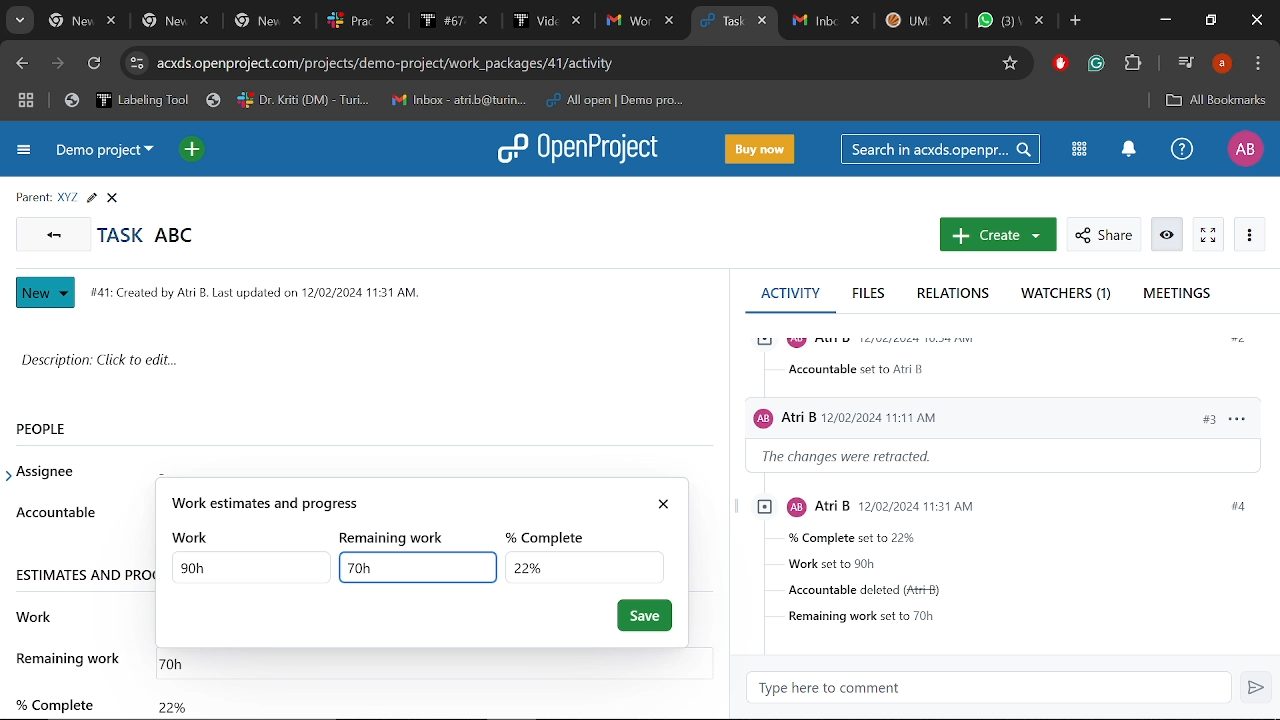 The width and height of the screenshot is (1280, 720). I want to click on Next page, so click(61, 65).